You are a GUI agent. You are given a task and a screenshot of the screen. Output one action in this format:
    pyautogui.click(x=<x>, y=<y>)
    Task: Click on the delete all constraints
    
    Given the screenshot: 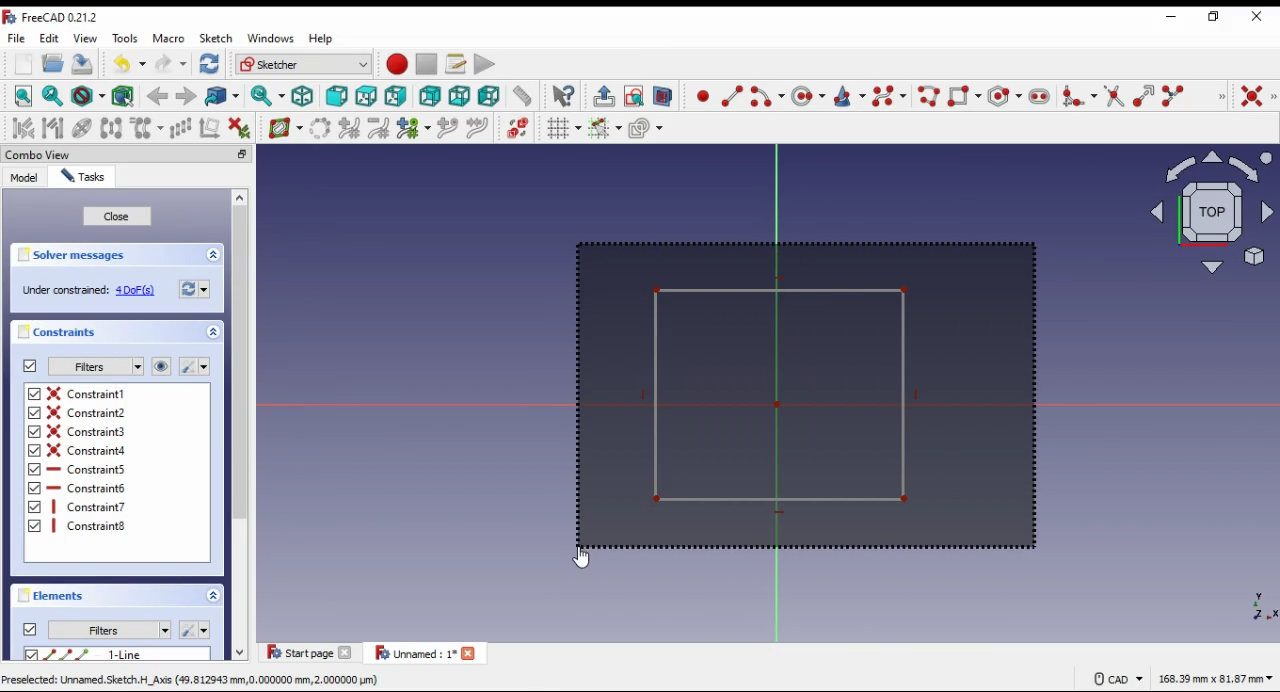 What is the action you would take?
    pyautogui.click(x=239, y=129)
    